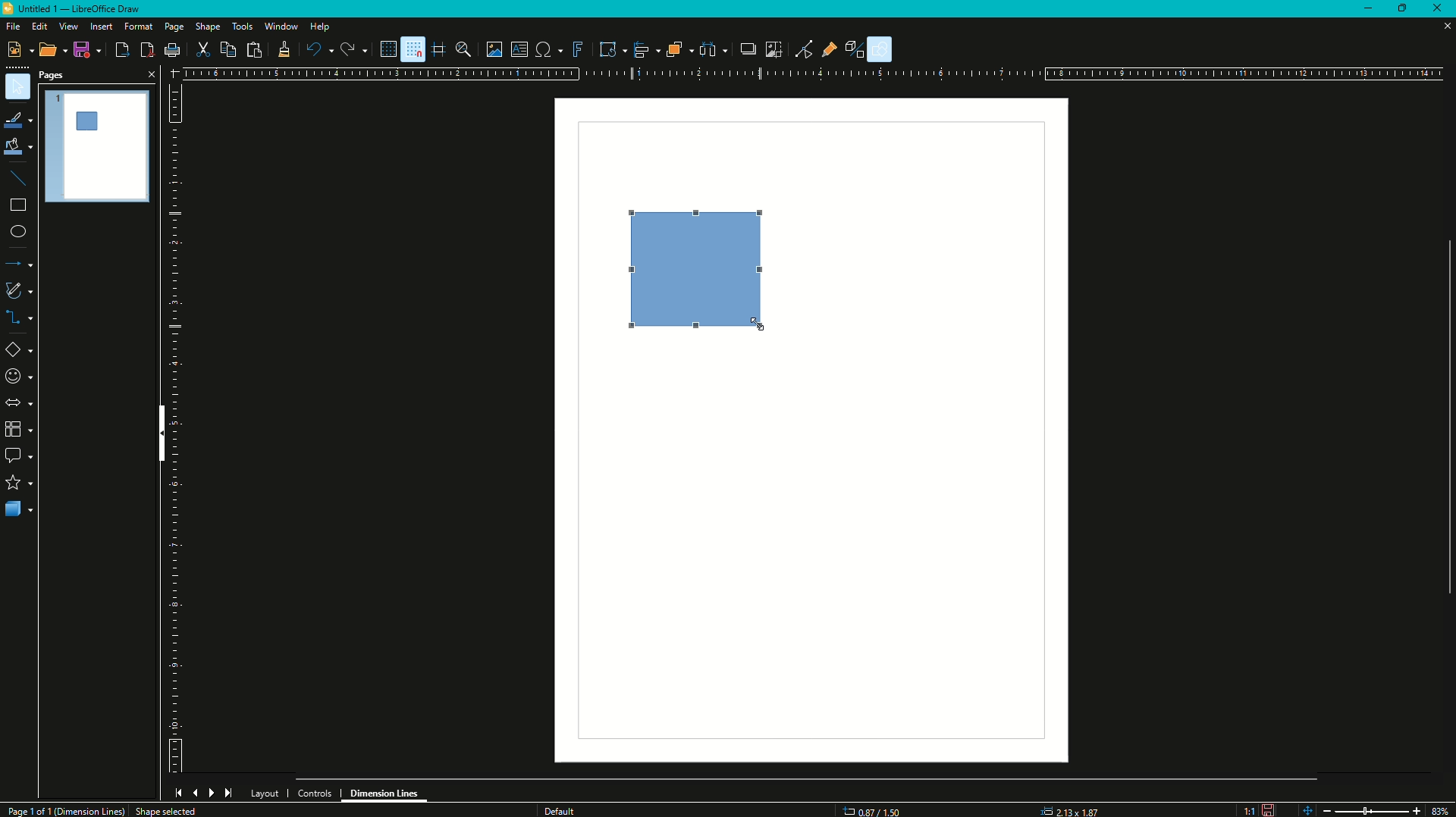  I want to click on Print, so click(172, 52).